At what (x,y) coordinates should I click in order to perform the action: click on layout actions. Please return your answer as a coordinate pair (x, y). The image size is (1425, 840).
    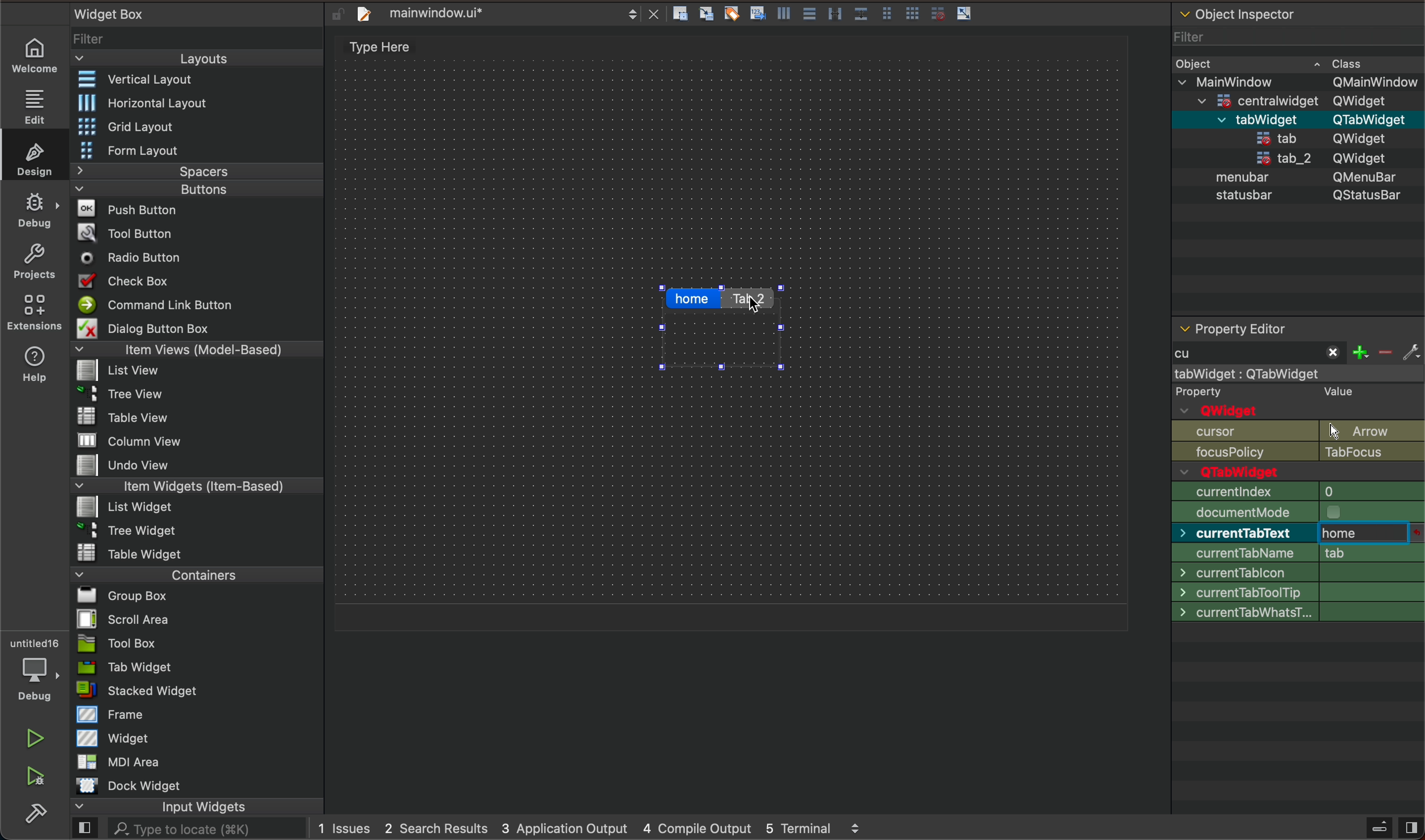
    Looking at the image, I should click on (872, 12).